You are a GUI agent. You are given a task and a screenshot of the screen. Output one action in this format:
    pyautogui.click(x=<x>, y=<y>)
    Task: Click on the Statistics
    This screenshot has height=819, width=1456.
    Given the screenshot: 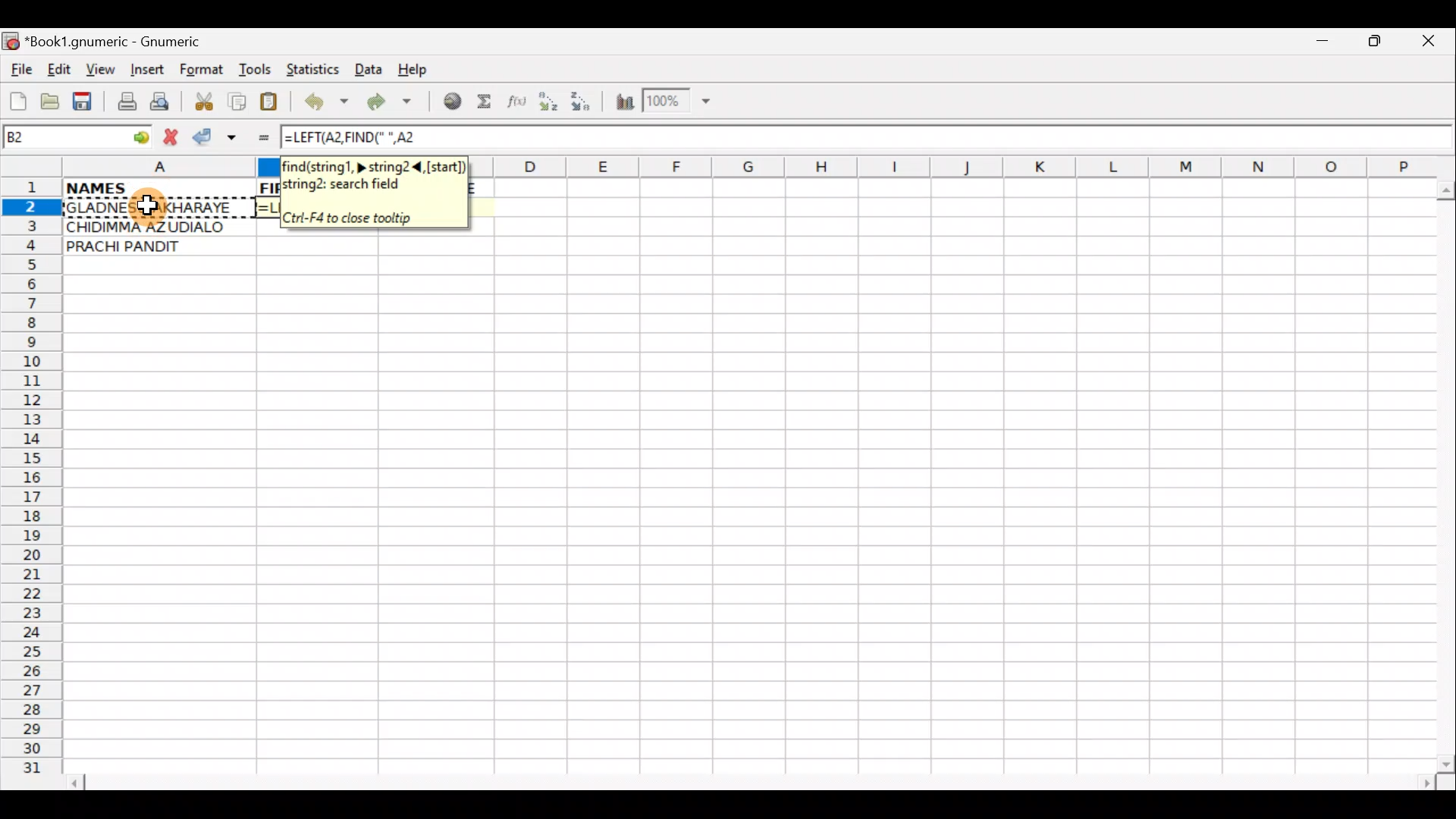 What is the action you would take?
    pyautogui.click(x=317, y=68)
    